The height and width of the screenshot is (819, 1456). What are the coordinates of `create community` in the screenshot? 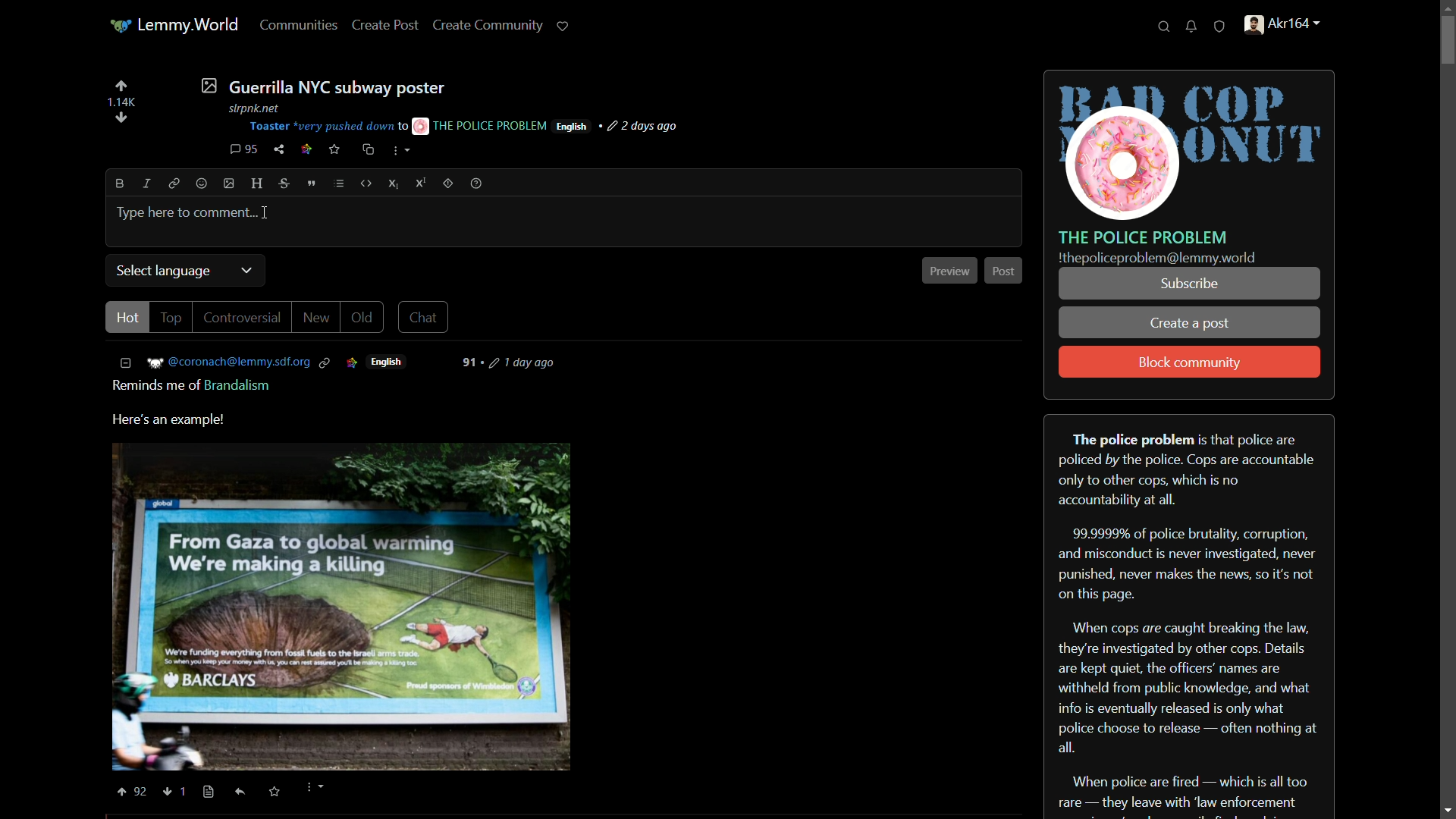 It's located at (488, 25).